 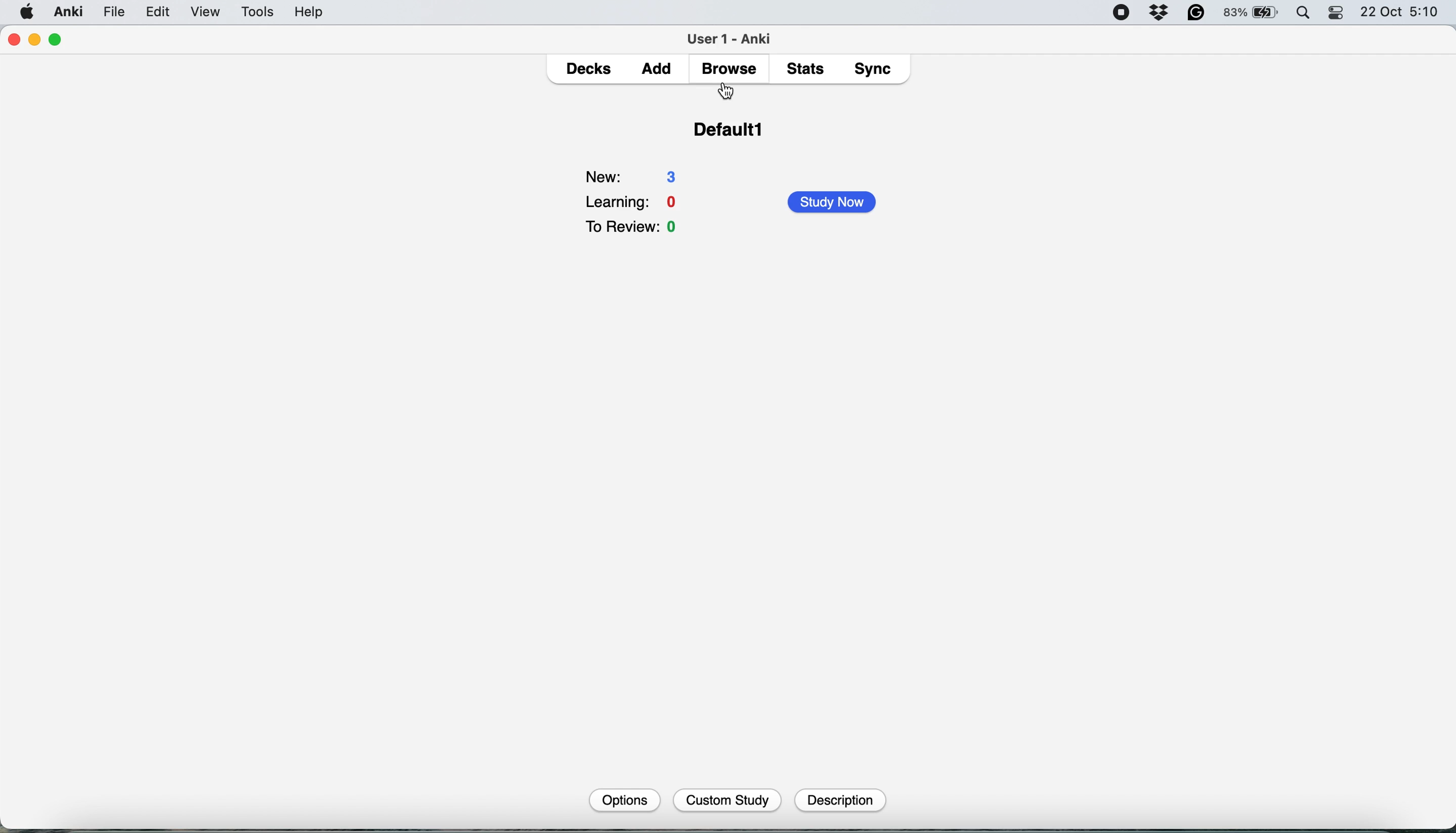 What do you see at coordinates (162, 13) in the screenshot?
I see `edit` at bounding box center [162, 13].